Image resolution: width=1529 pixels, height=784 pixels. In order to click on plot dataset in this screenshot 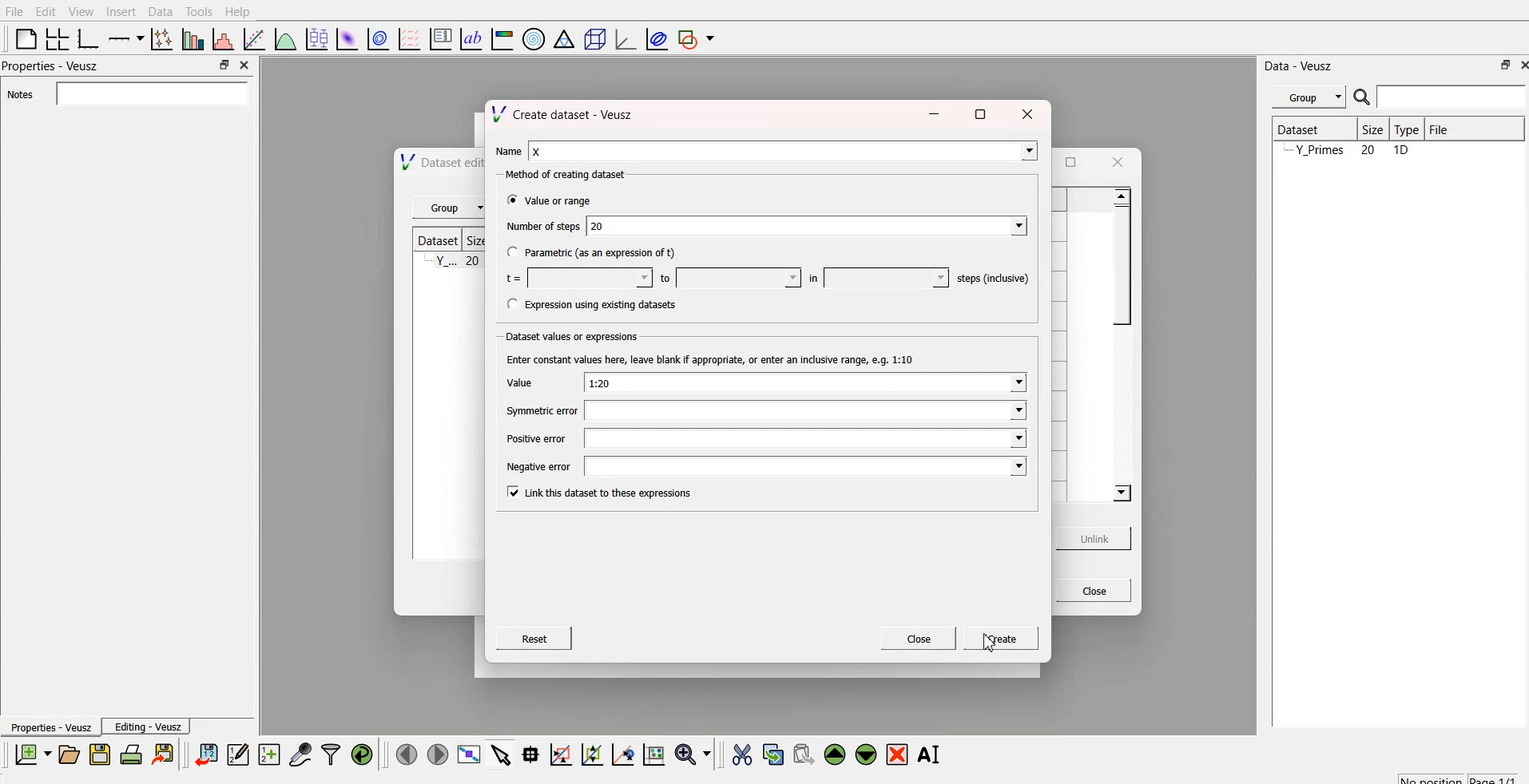, I will do `click(347, 38)`.